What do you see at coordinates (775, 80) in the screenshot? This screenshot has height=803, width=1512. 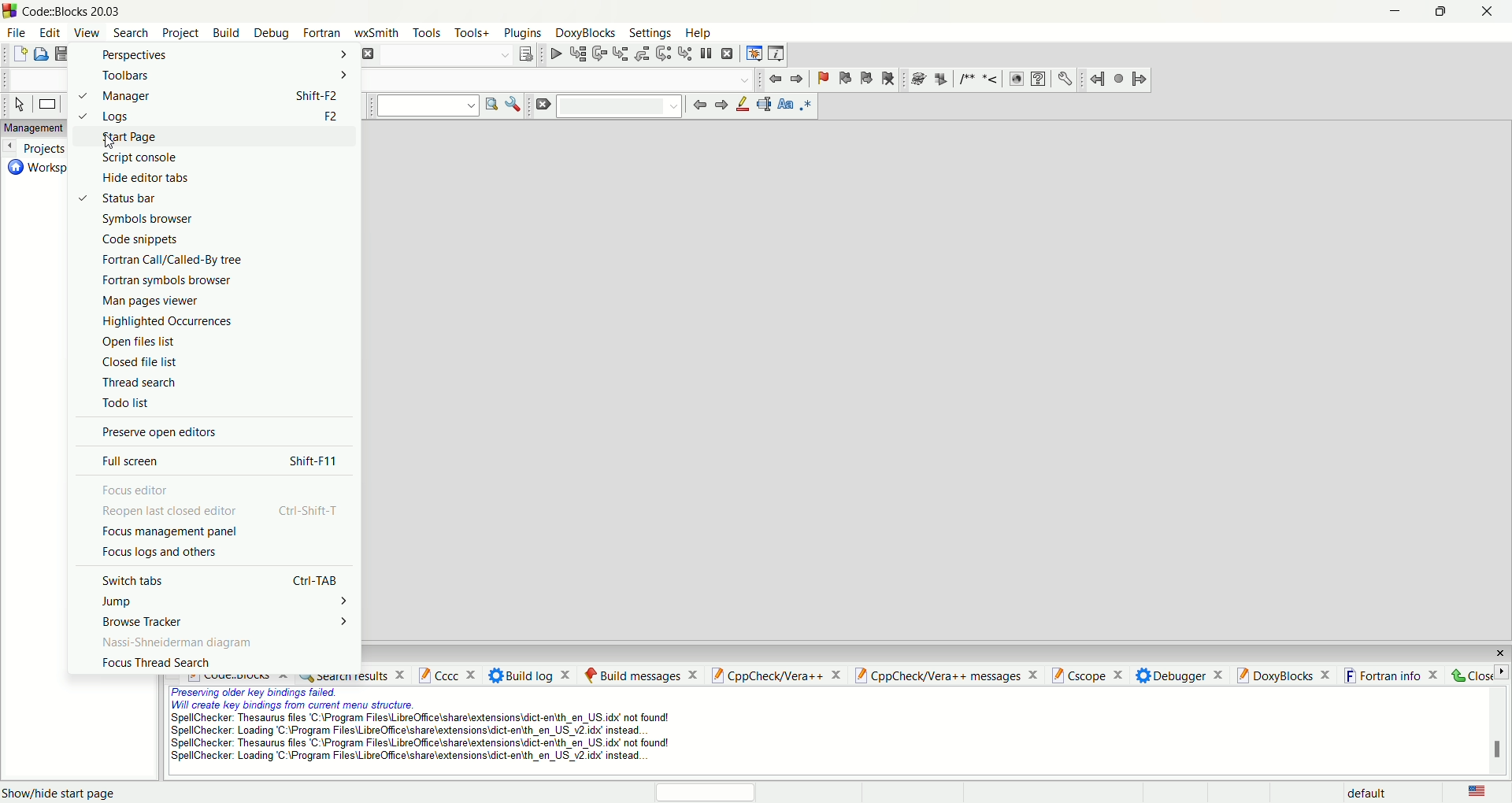 I see `jump back` at bounding box center [775, 80].